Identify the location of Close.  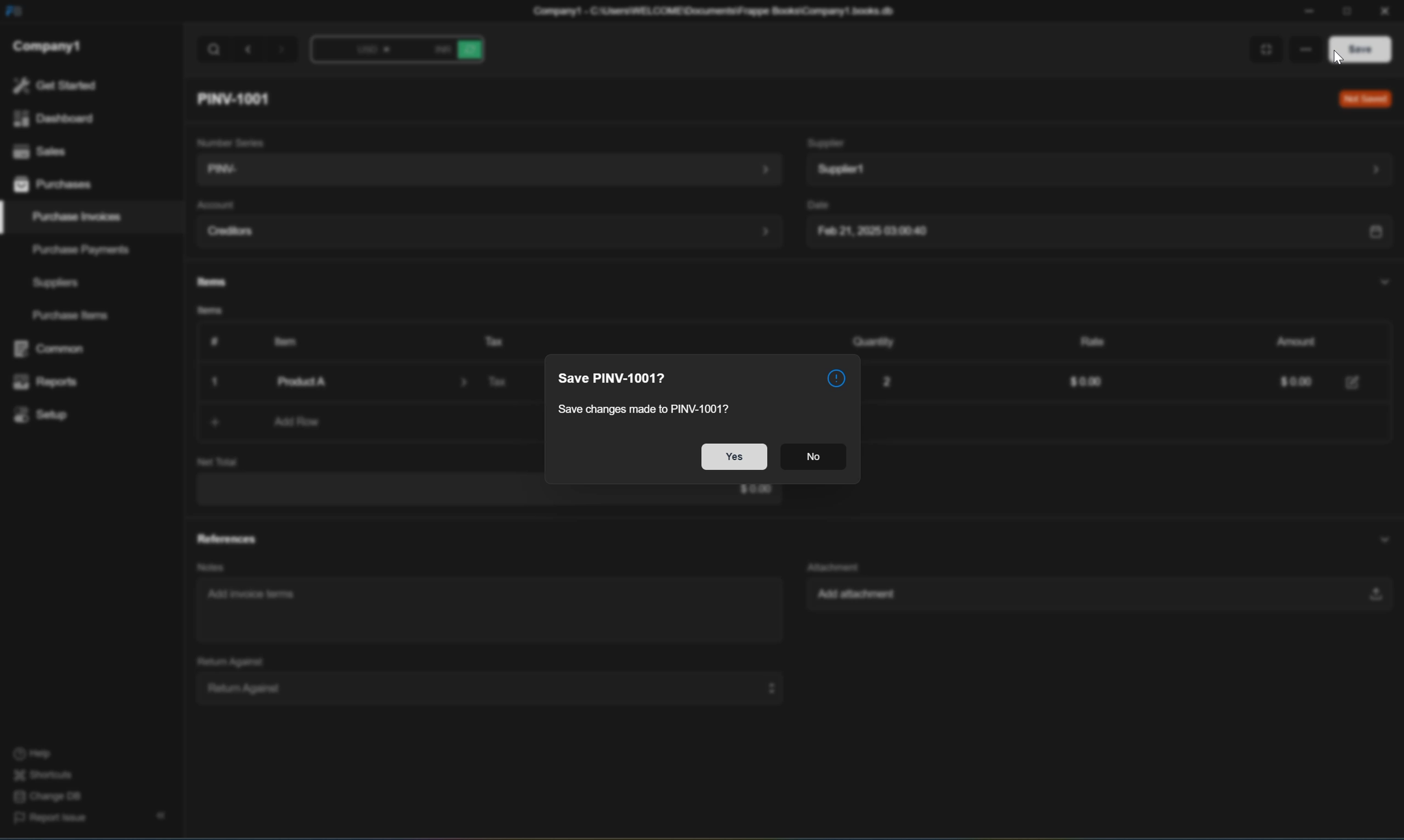
(217, 383).